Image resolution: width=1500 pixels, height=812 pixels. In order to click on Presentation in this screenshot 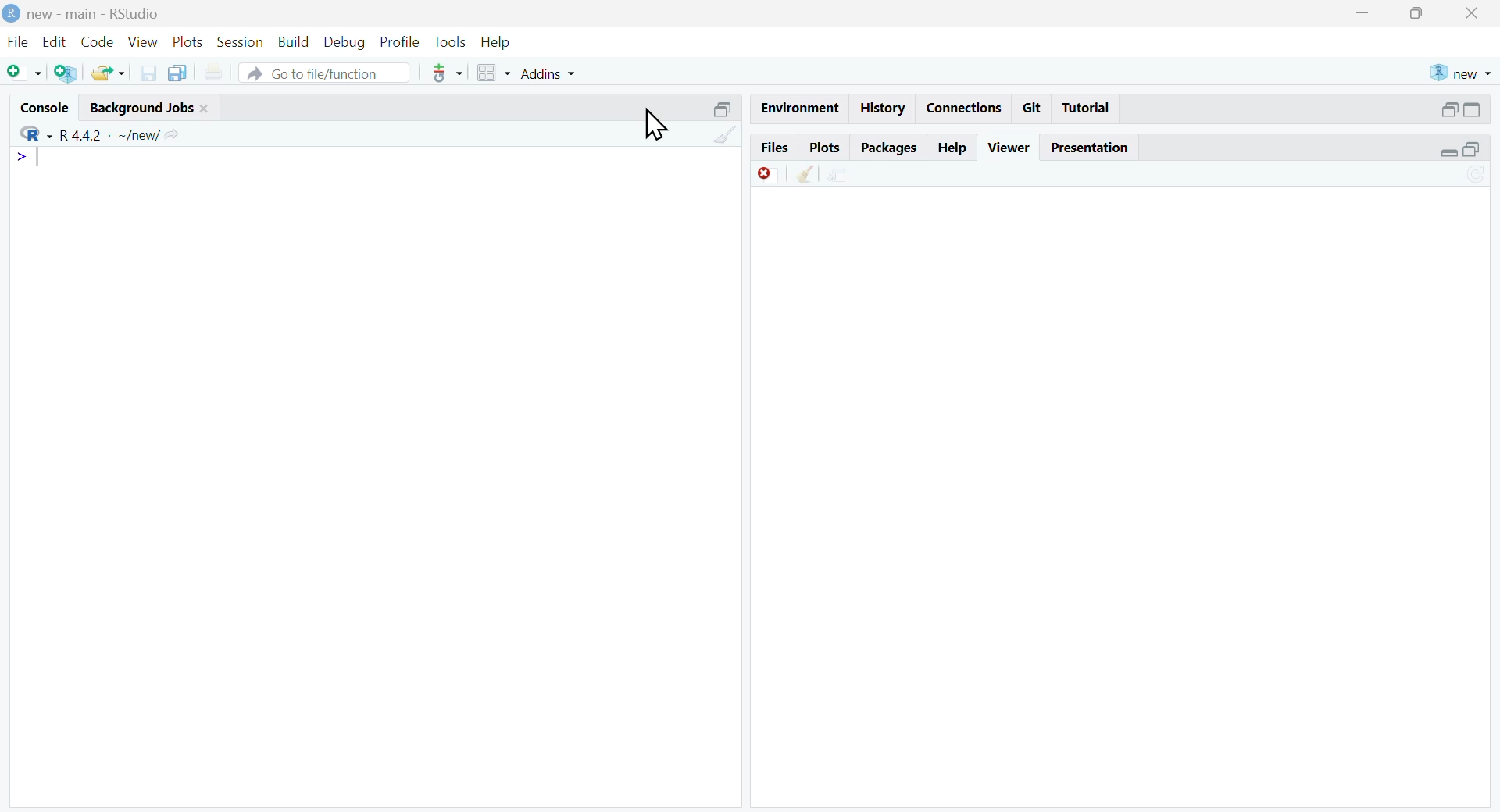, I will do `click(1090, 148)`.